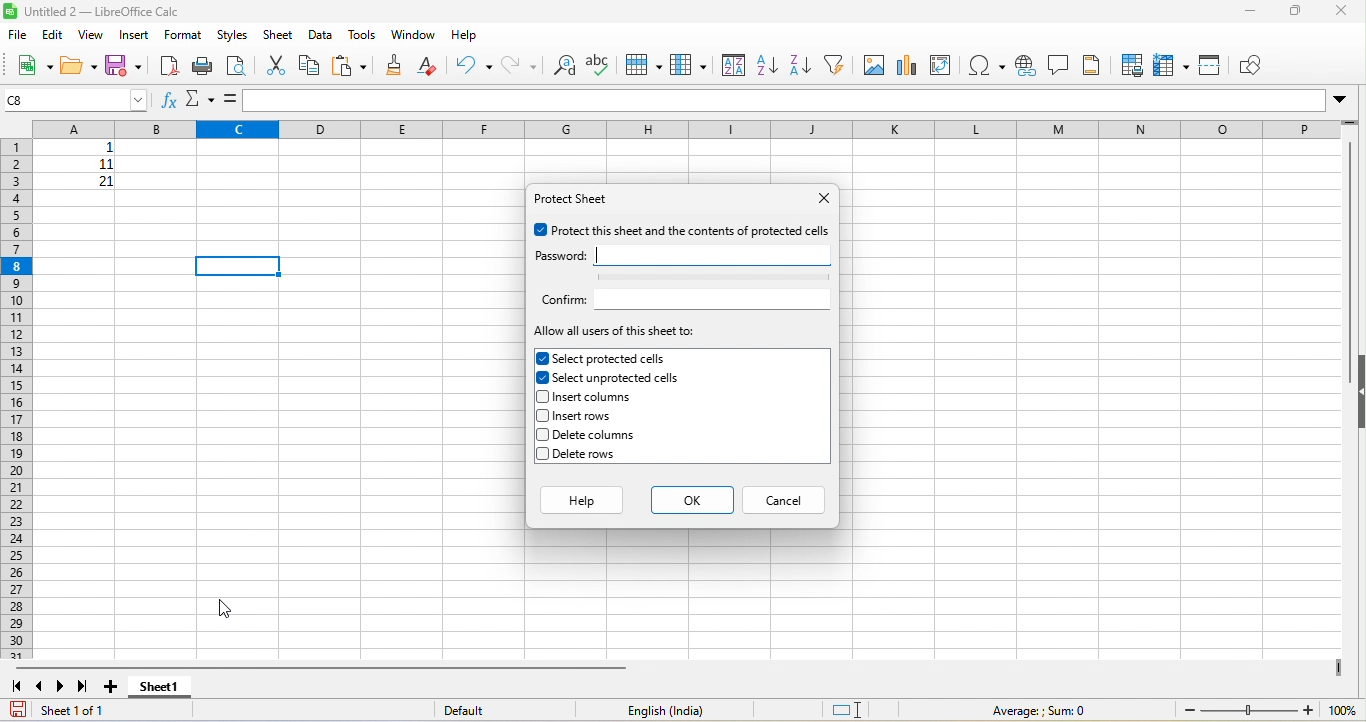  Describe the element at coordinates (124, 66) in the screenshot. I see `save` at that location.